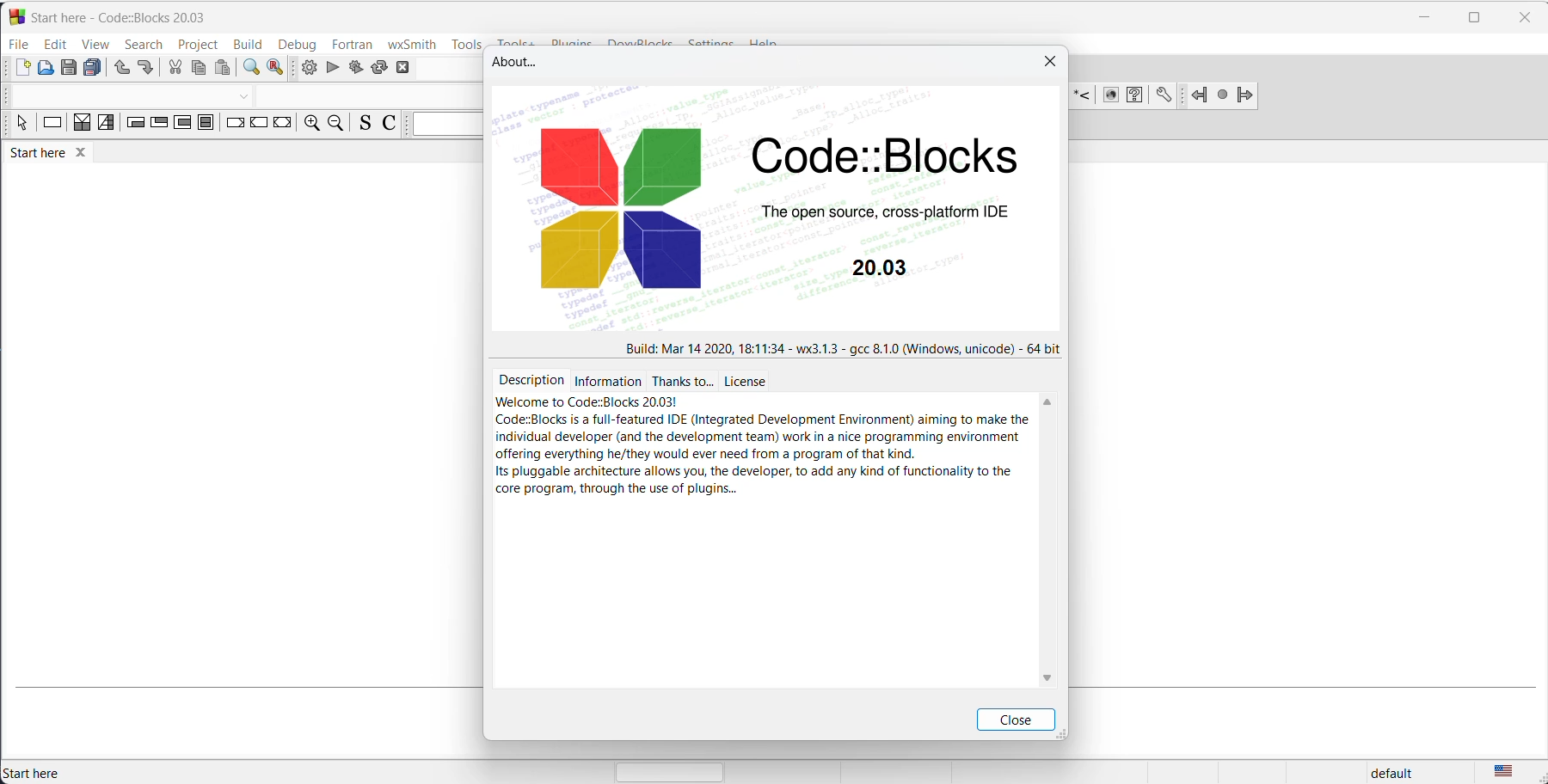 This screenshot has width=1548, height=784. Describe the element at coordinates (465, 45) in the screenshot. I see `tools` at that location.